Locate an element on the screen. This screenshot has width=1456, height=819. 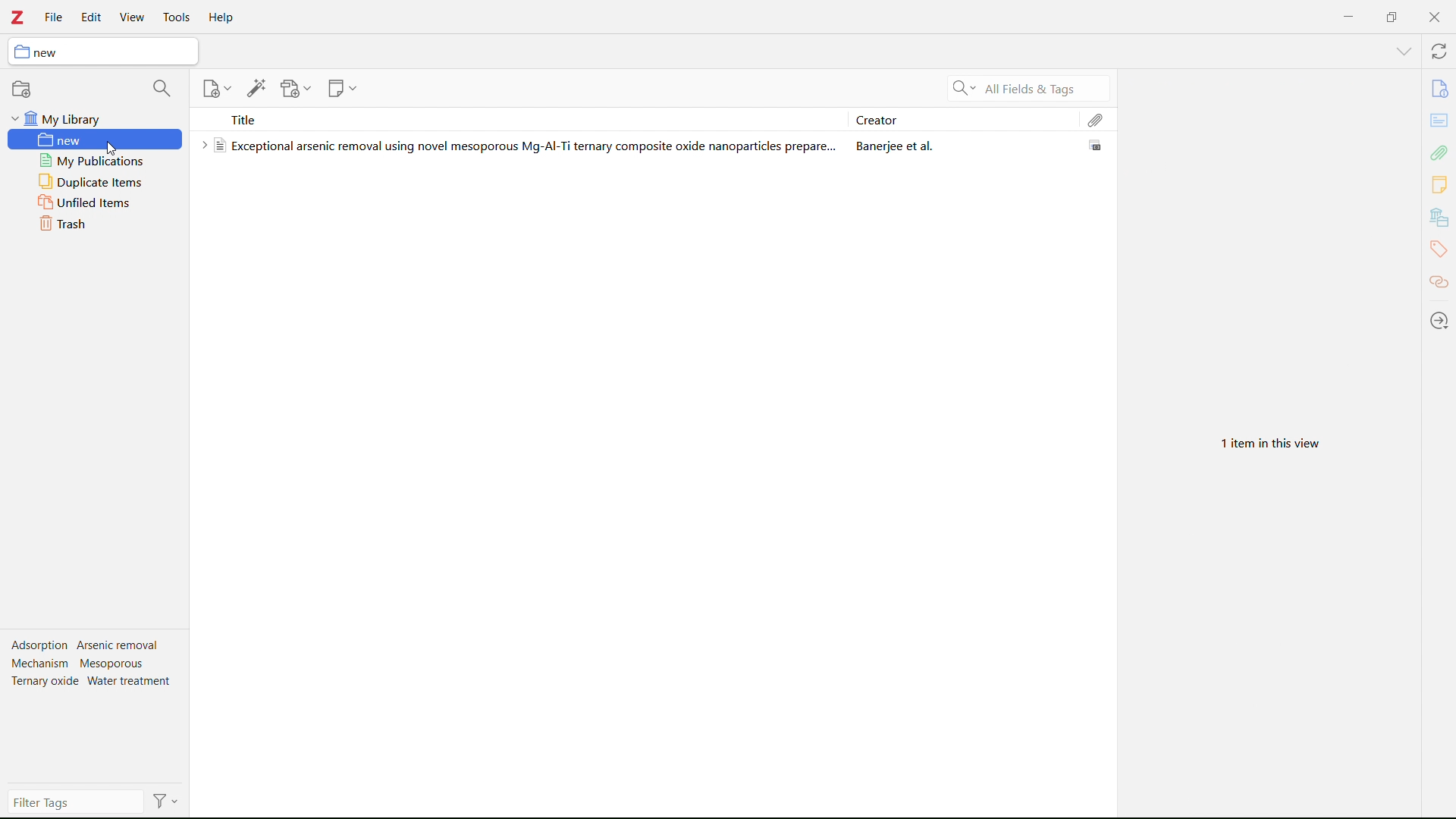
edit is located at coordinates (92, 18).